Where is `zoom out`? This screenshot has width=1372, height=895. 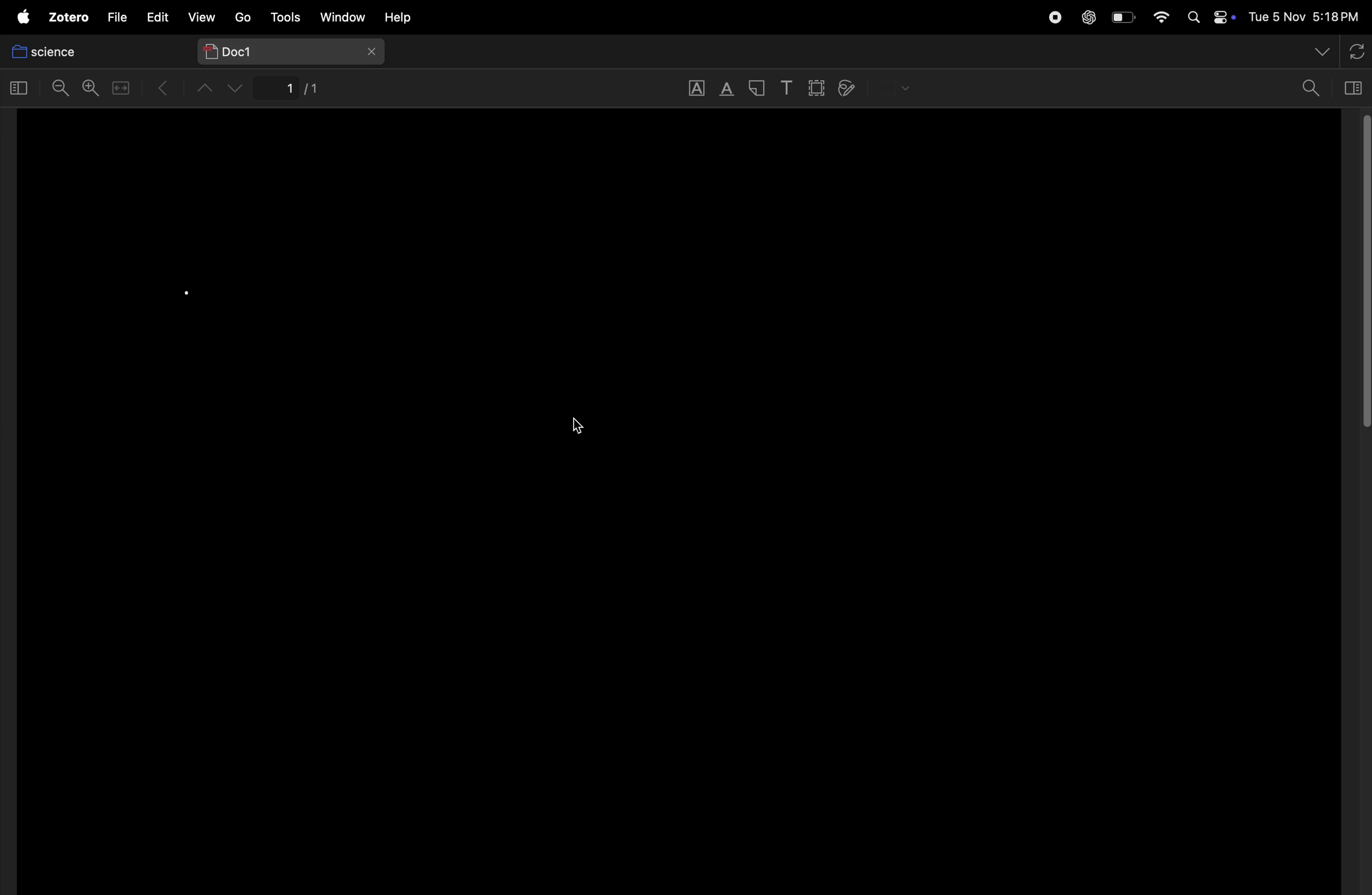
zoom out is located at coordinates (61, 88).